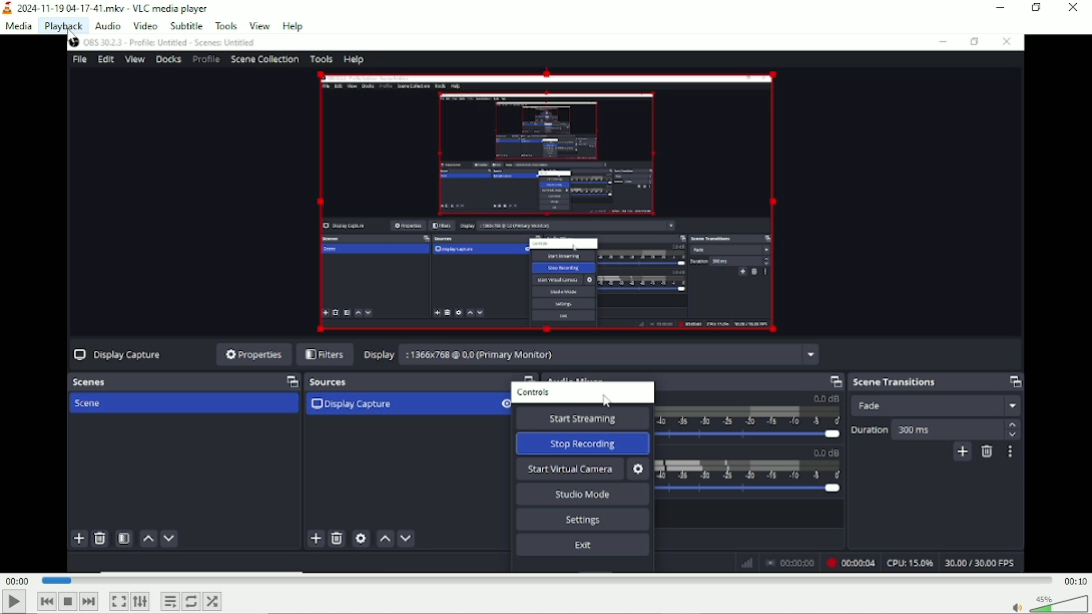 The width and height of the screenshot is (1092, 614). Describe the element at coordinates (108, 7) in the screenshot. I see `2024-11-19 04-17.mkv - VLC media player` at that location.